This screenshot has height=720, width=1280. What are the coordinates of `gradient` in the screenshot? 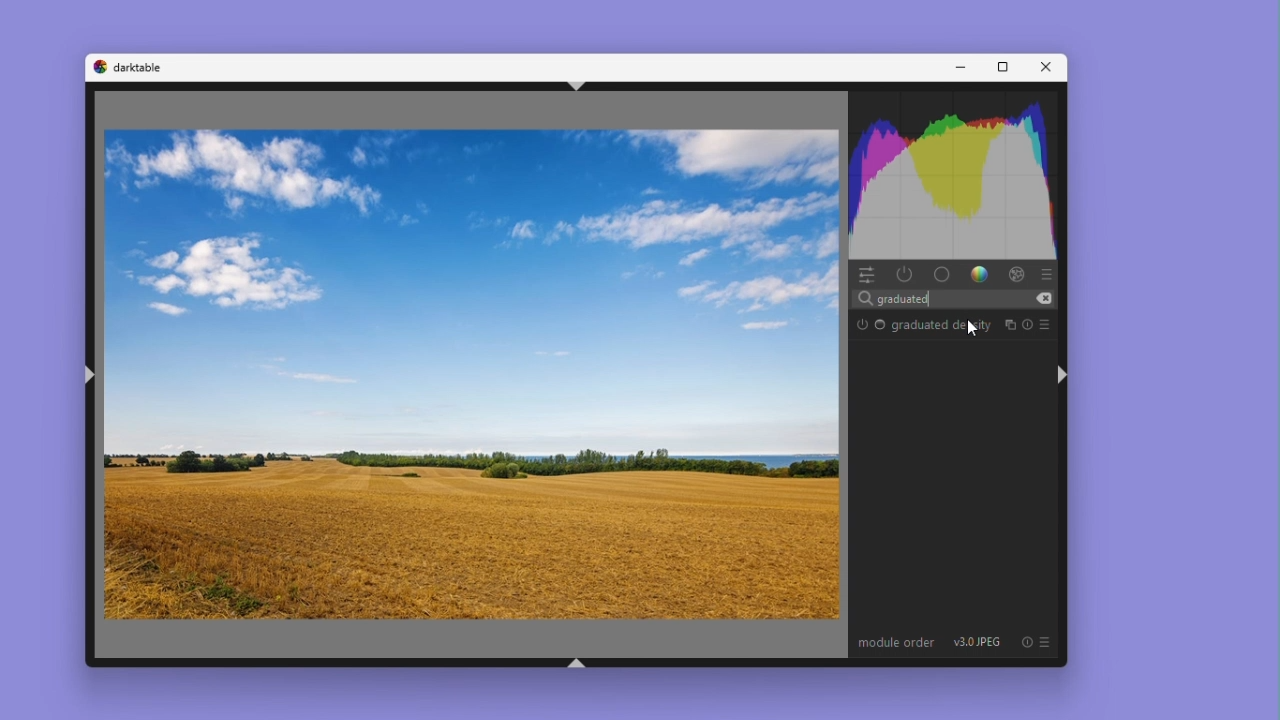 It's located at (977, 273).